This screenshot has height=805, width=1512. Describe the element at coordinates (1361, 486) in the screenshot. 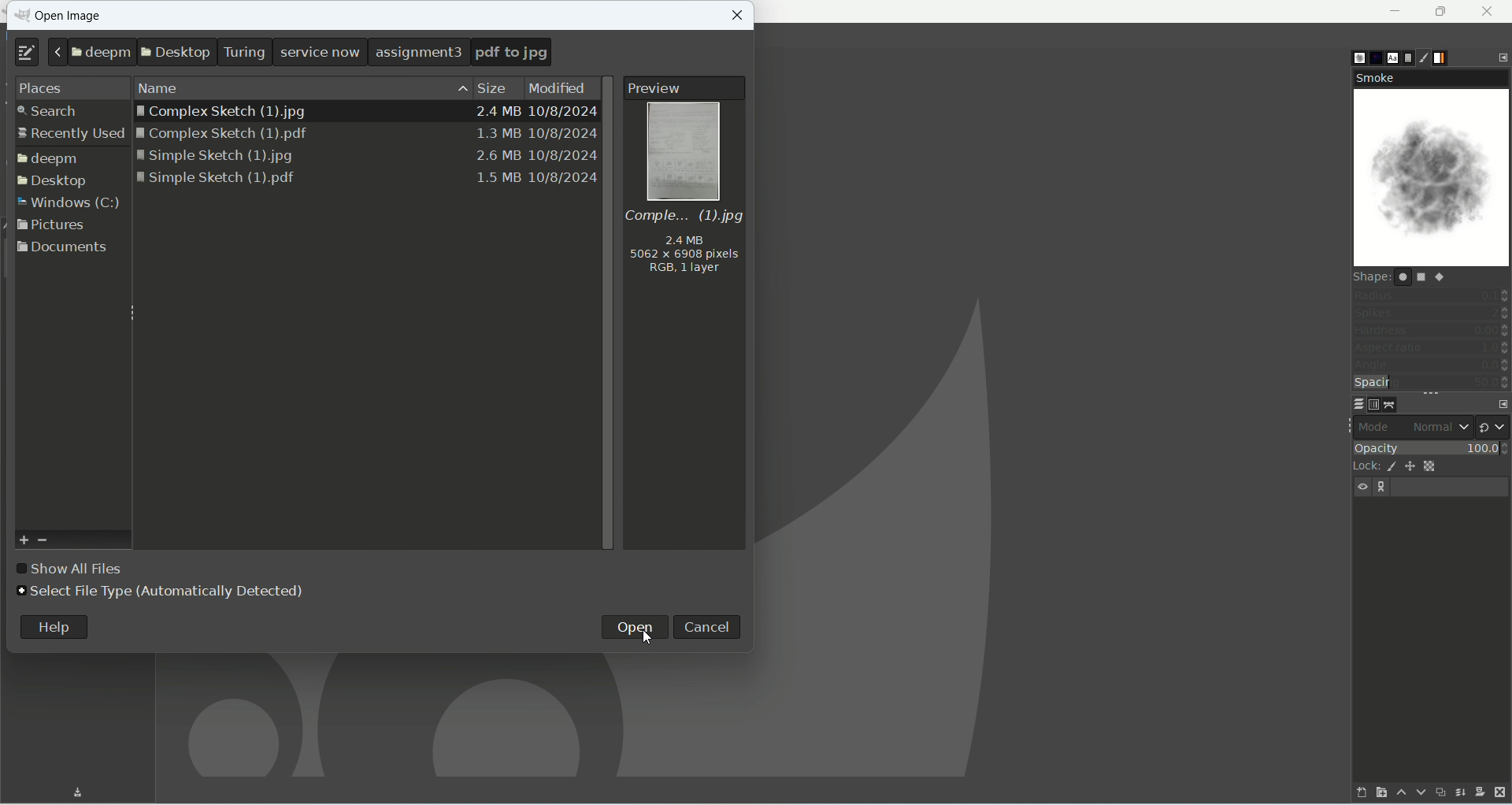

I see `visibility` at that location.